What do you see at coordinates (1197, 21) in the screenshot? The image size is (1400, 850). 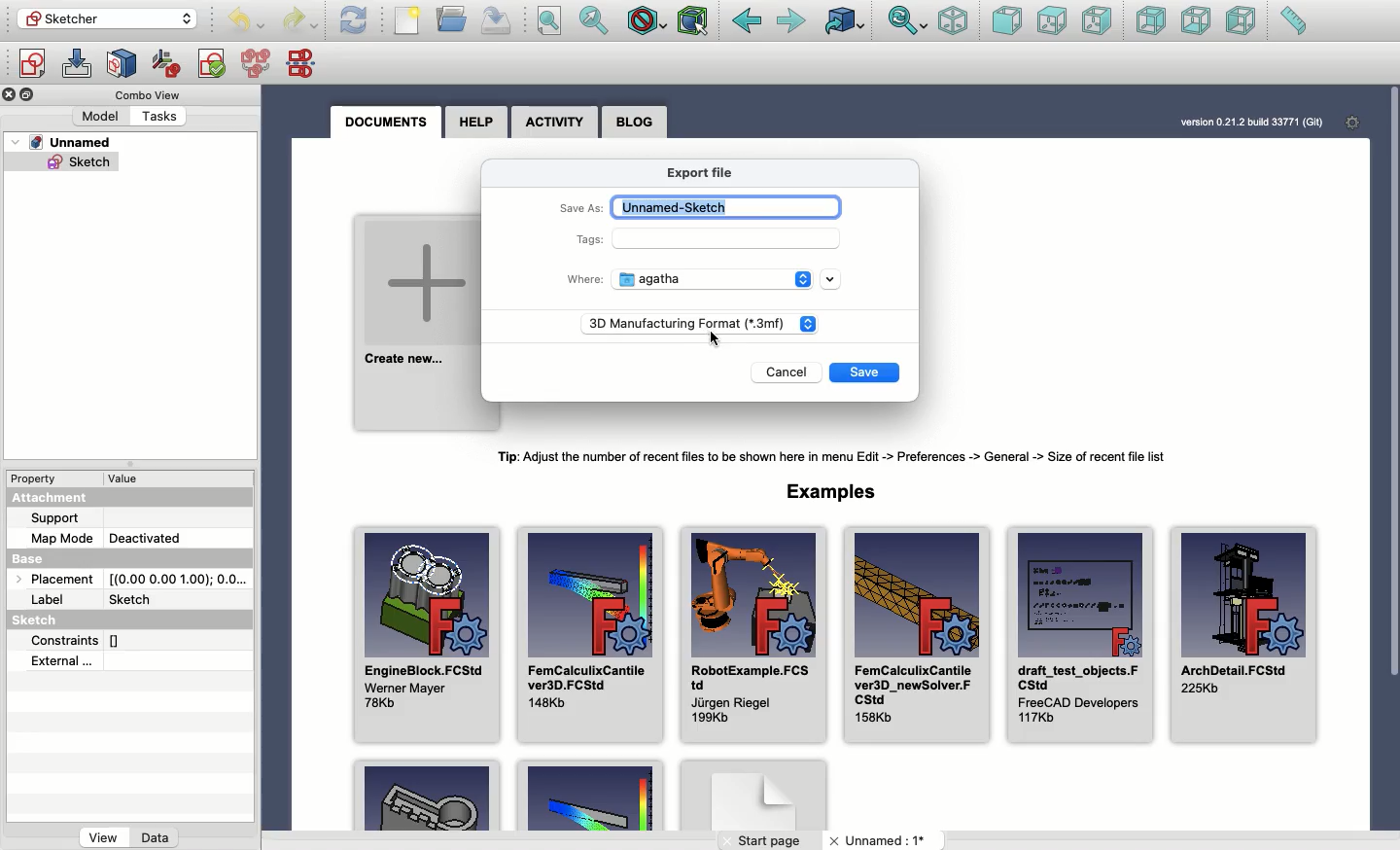 I see `Bottom` at bounding box center [1197, 21].